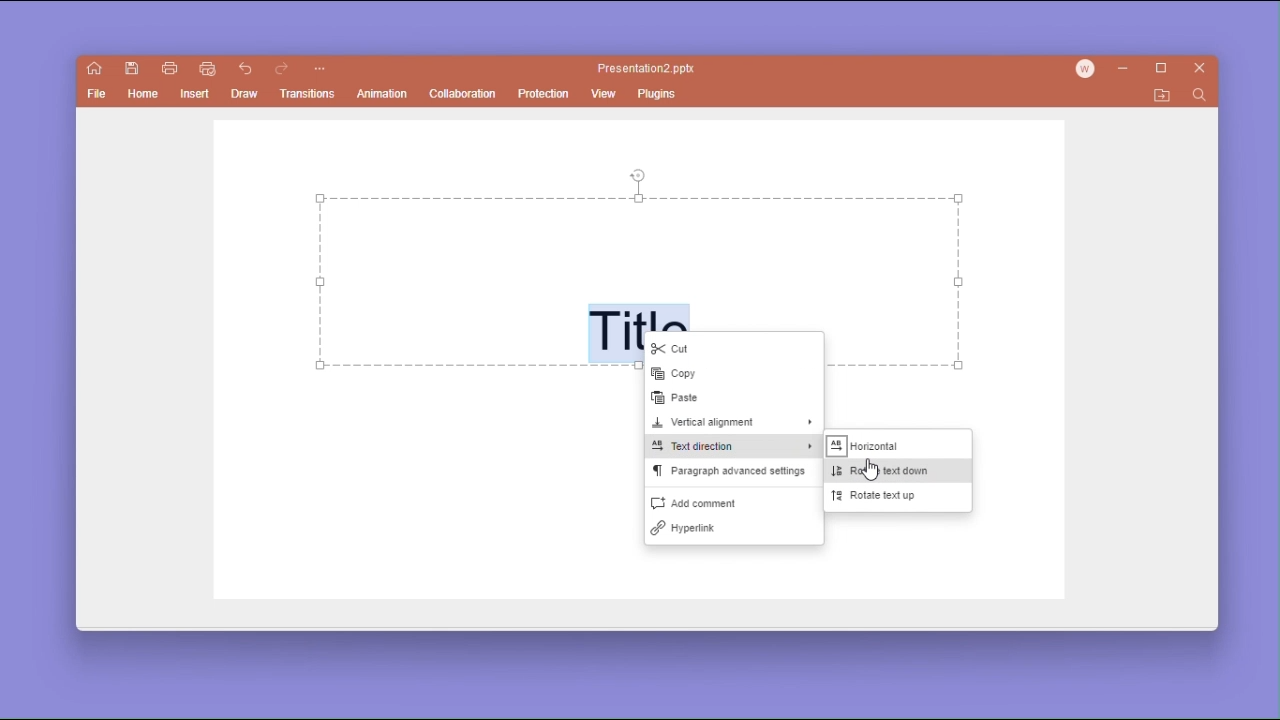  I want to click on hyperlink, so click(732, 532).